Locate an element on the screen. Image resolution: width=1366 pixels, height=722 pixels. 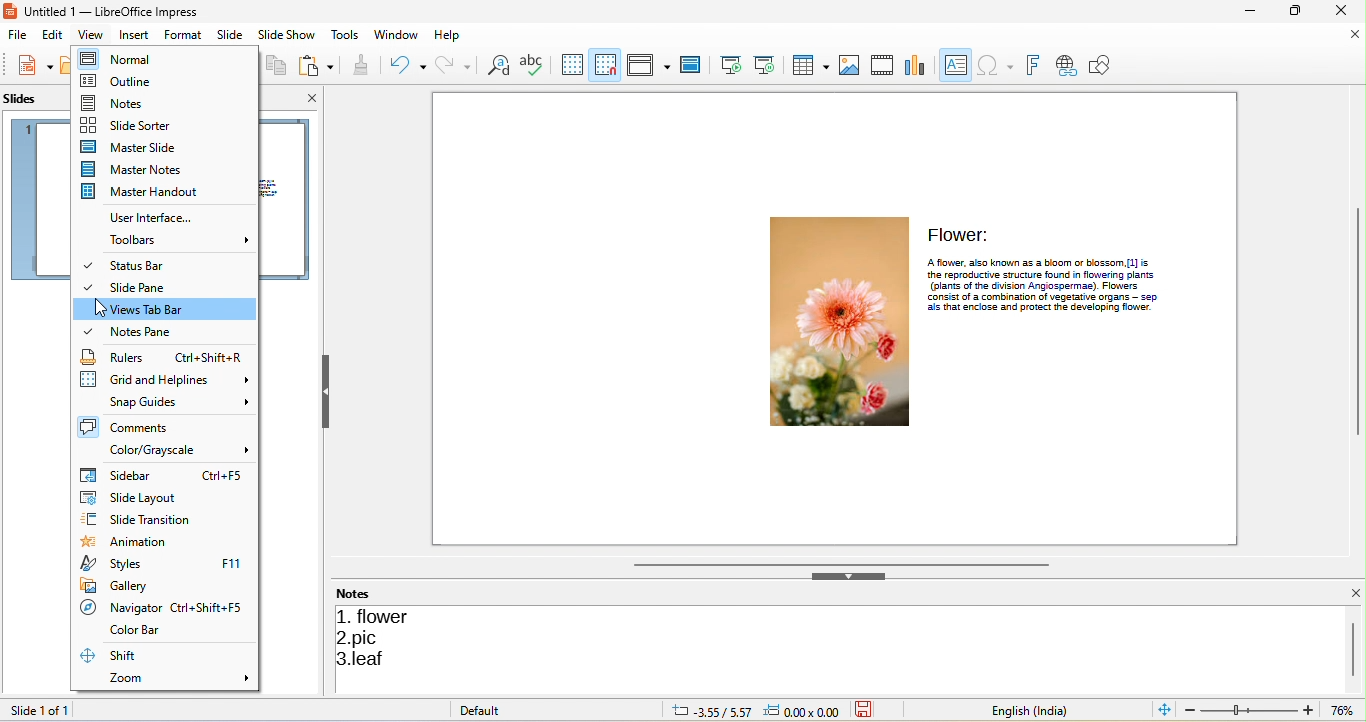
file is located at coordinates (15, 36).